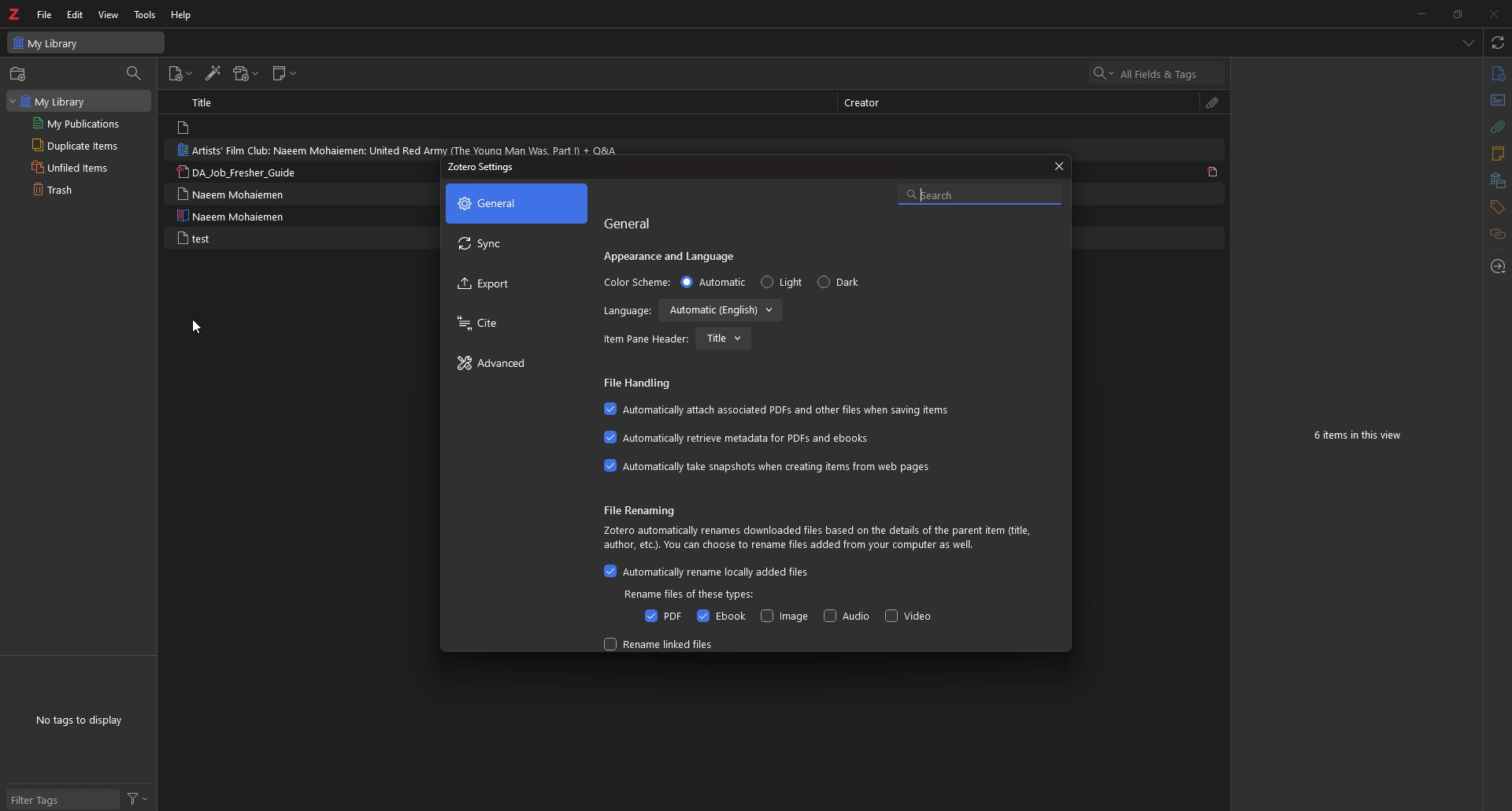  Describe the element at coordinates (647, 509) in the screenshot. I see `file renaming` at that location.